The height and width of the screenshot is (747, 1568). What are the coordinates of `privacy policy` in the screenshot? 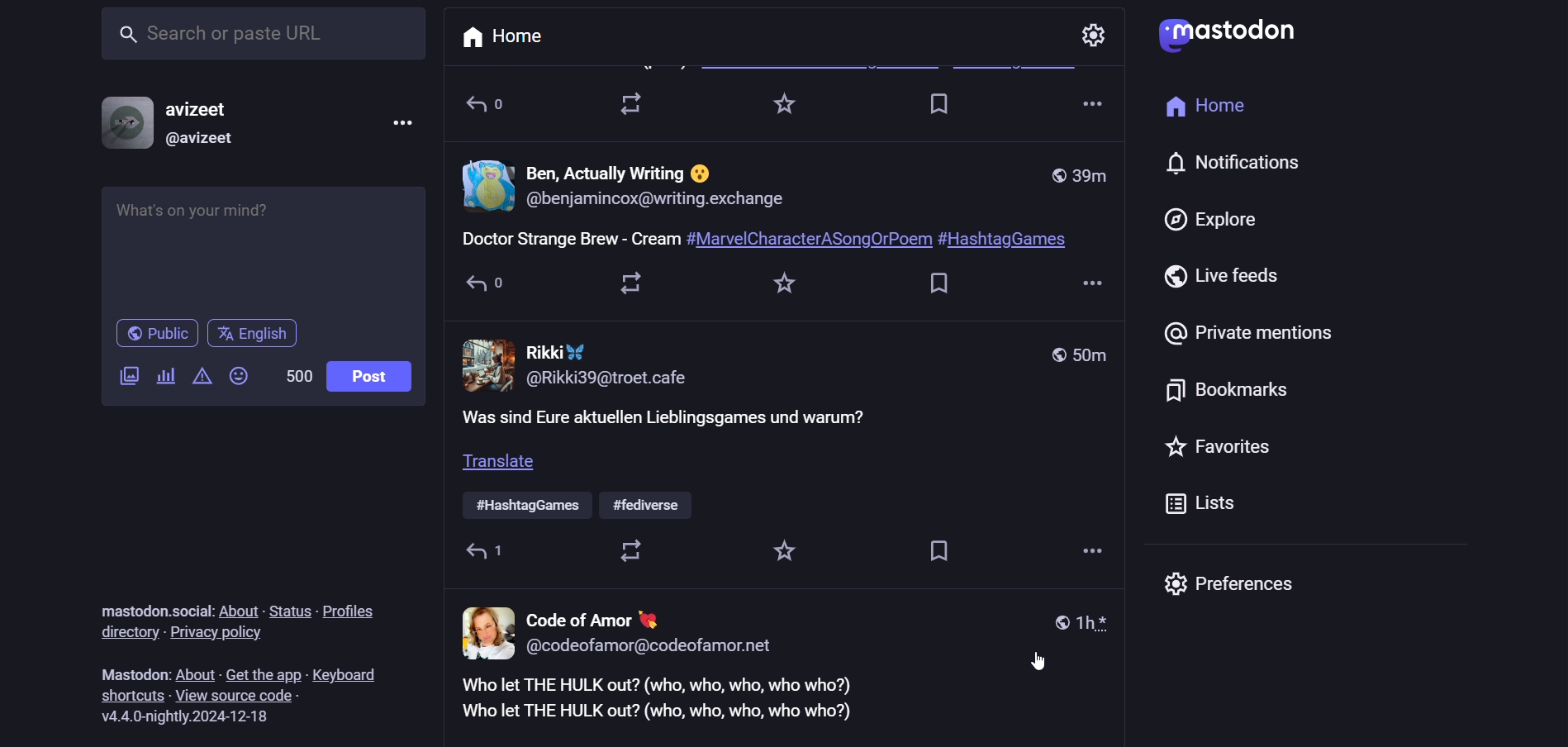 It's located at (221, 633).